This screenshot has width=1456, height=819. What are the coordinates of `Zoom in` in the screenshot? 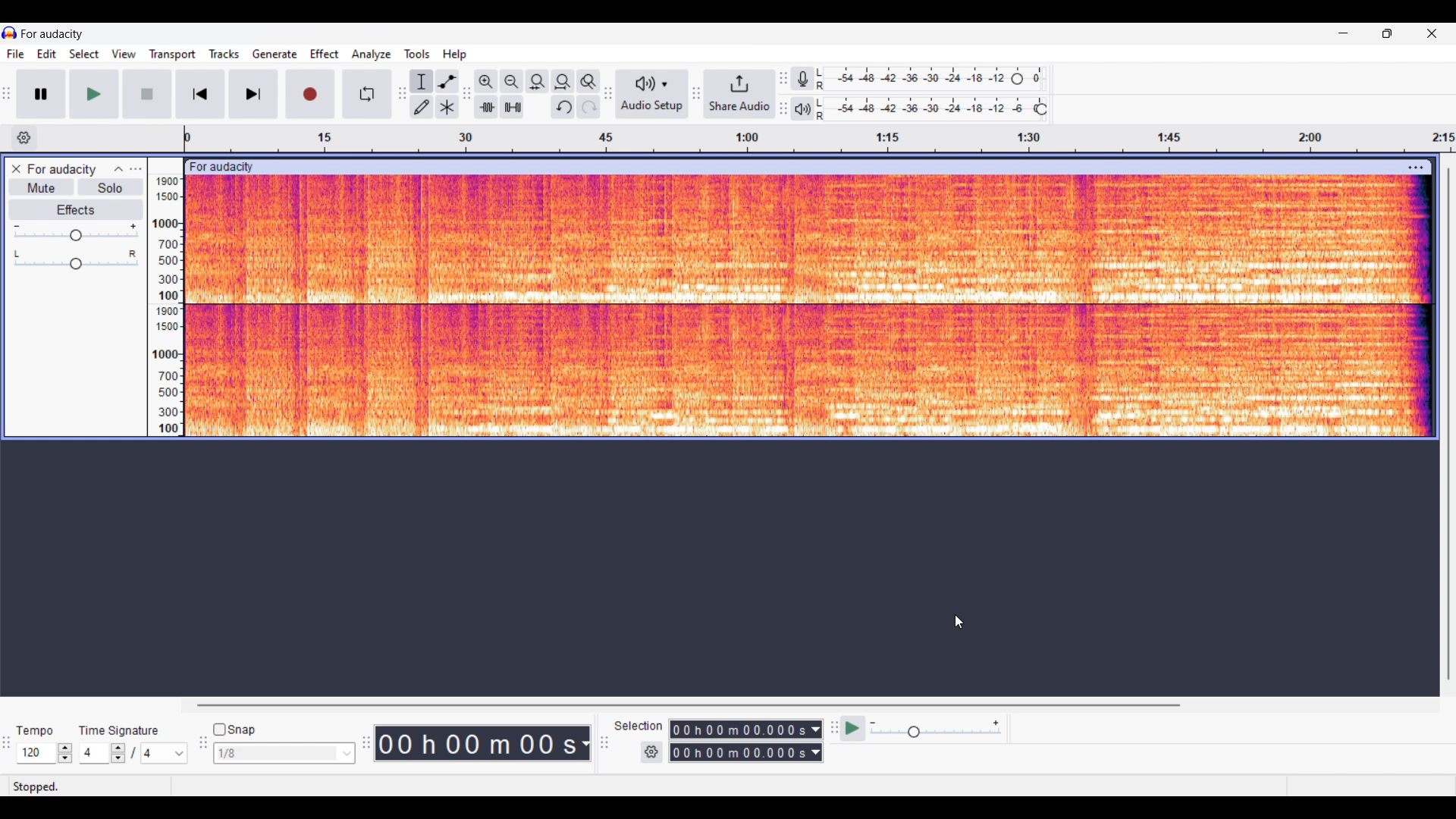 It's located at (487, 82).